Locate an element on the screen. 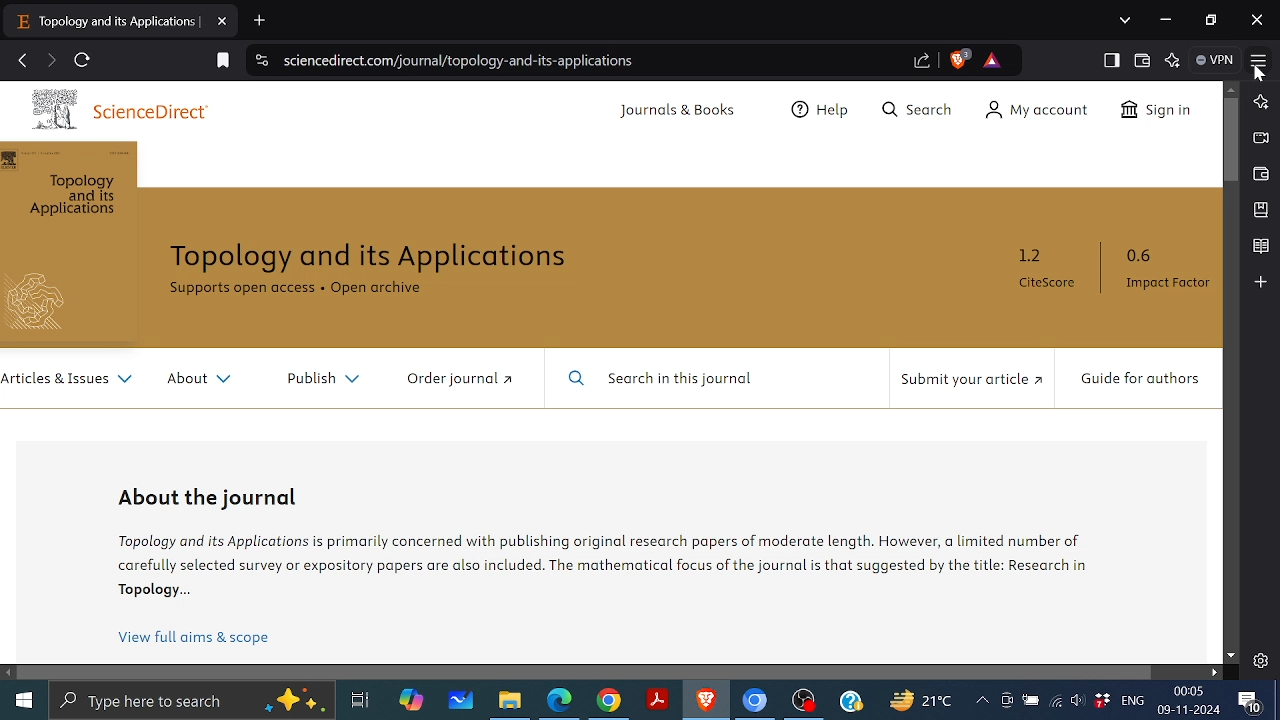 The height and width of the screenshot is (720, 1280). 0.6 Impact Factor is located at coordinates (1172, 274).